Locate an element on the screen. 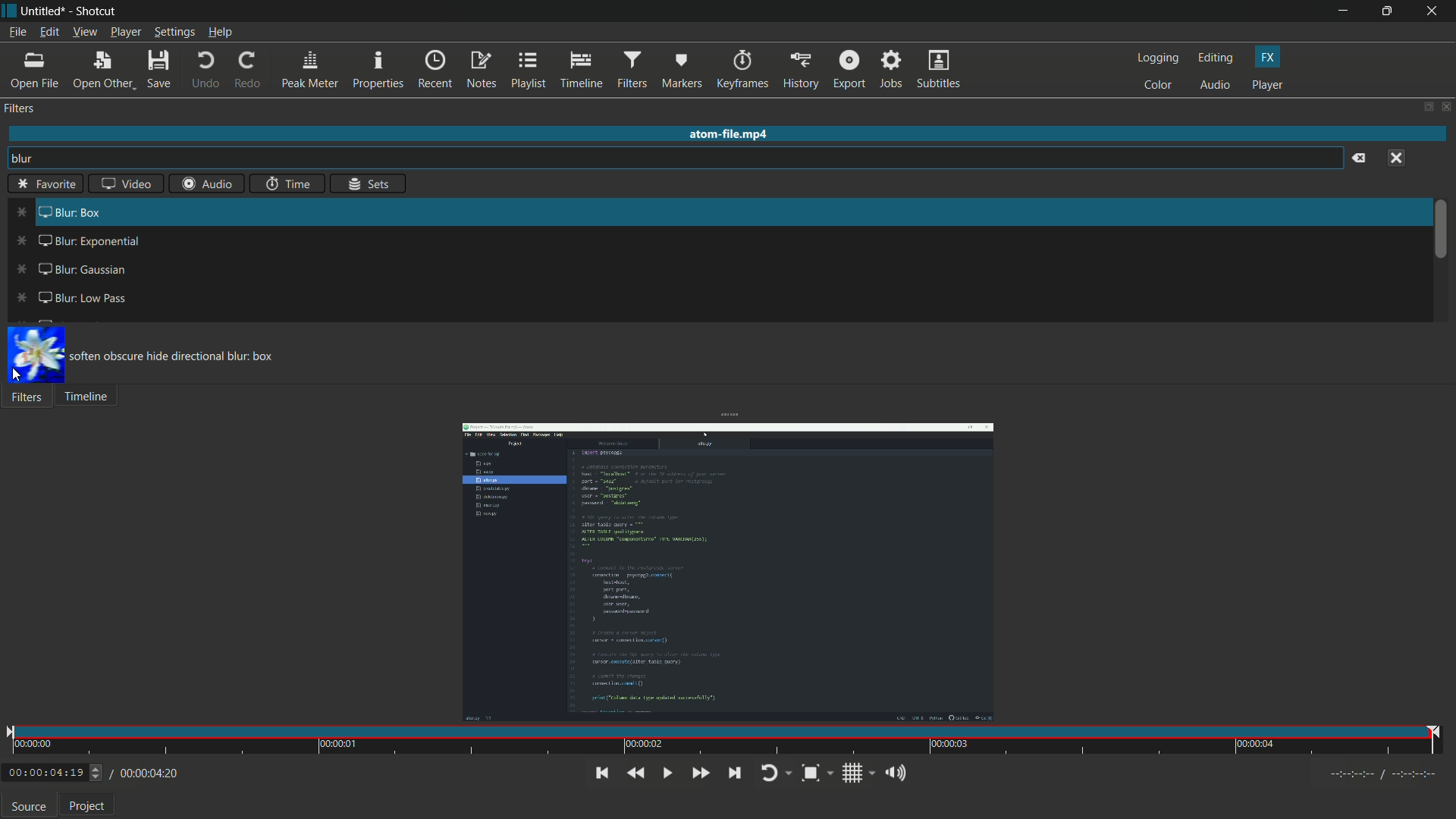  close is located at coordinates (1446, 108).